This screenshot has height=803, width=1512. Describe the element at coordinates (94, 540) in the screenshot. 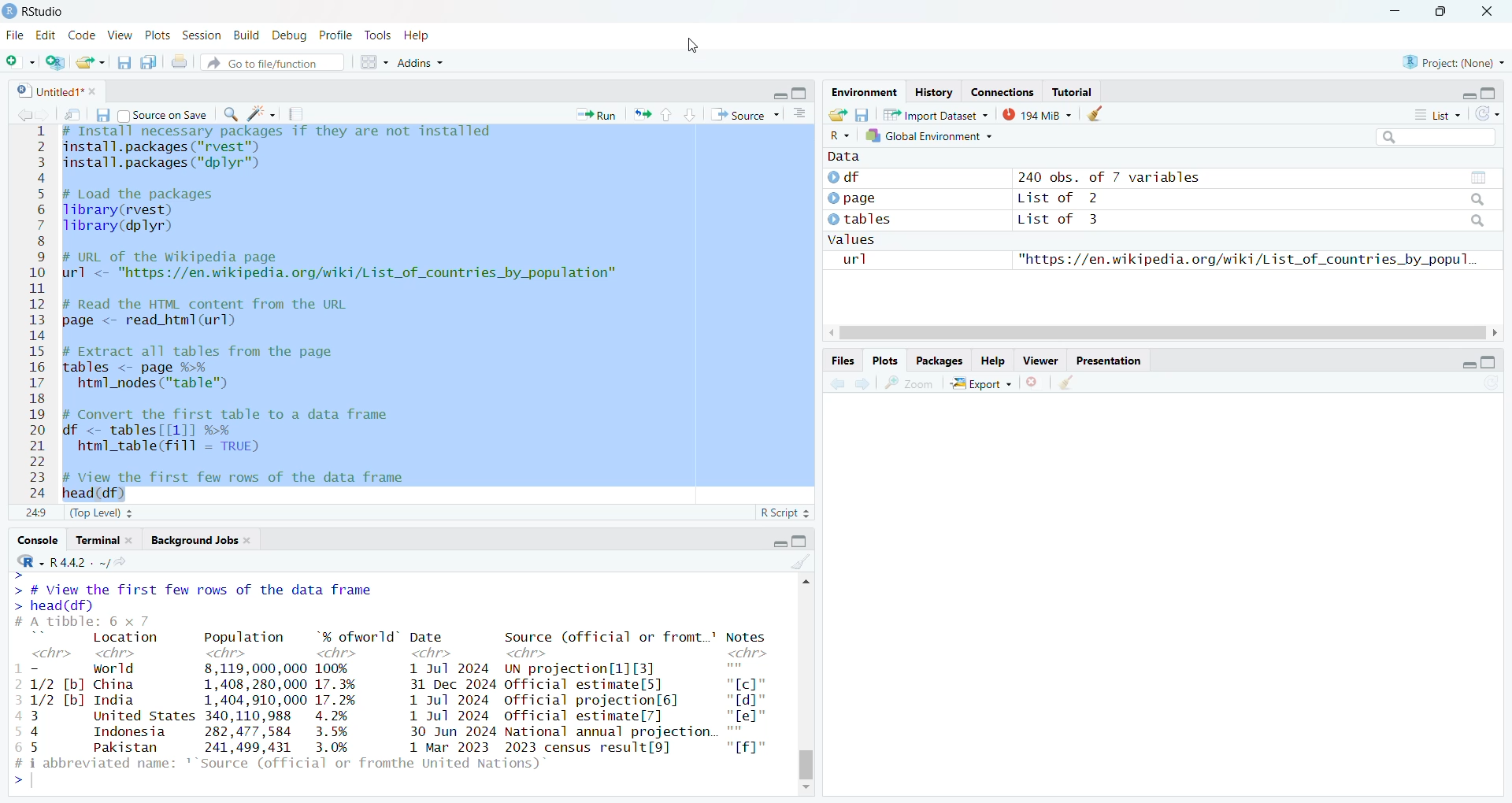

I see `Terminal` at that location.